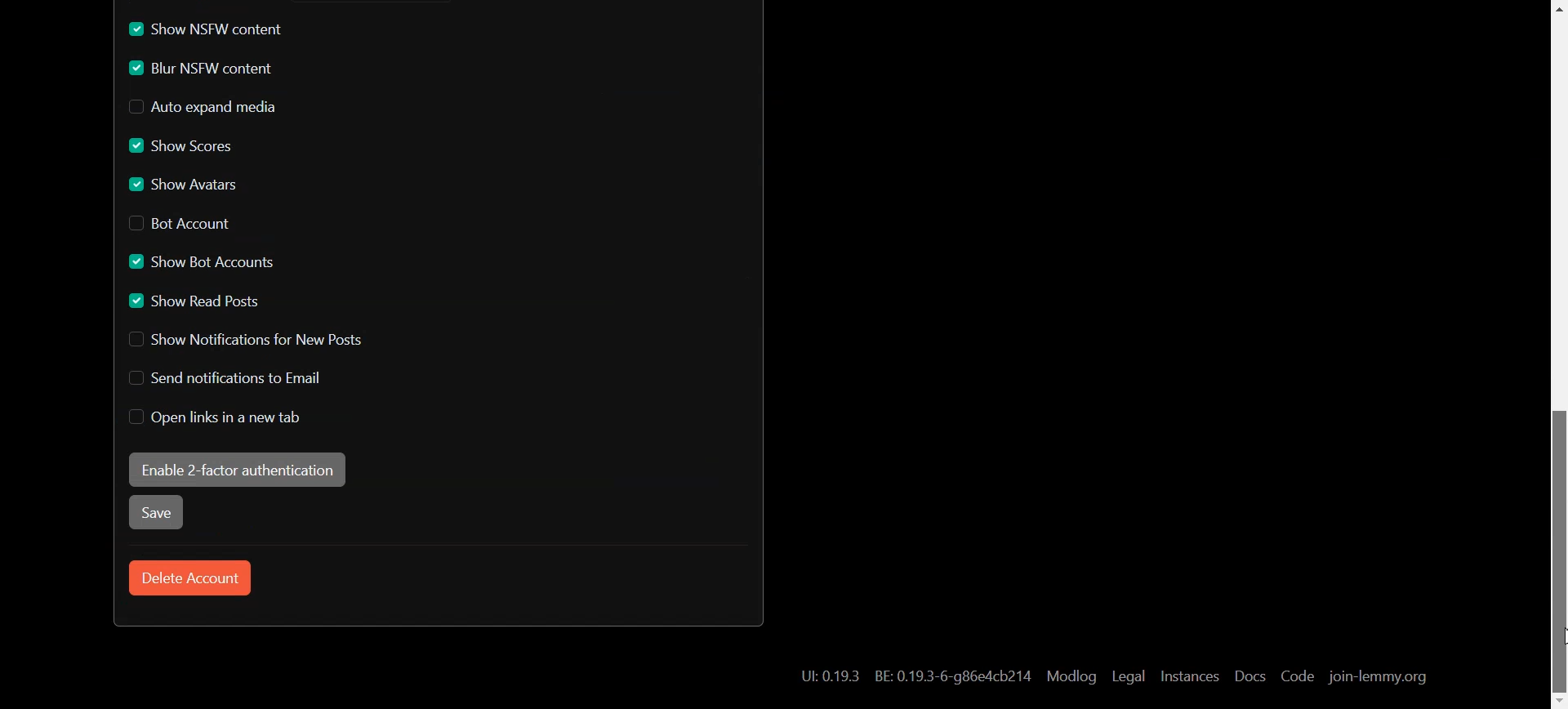  Describe the element at coordinates (914, 674) in the screenshot. I see `Hyperlink` at that location.